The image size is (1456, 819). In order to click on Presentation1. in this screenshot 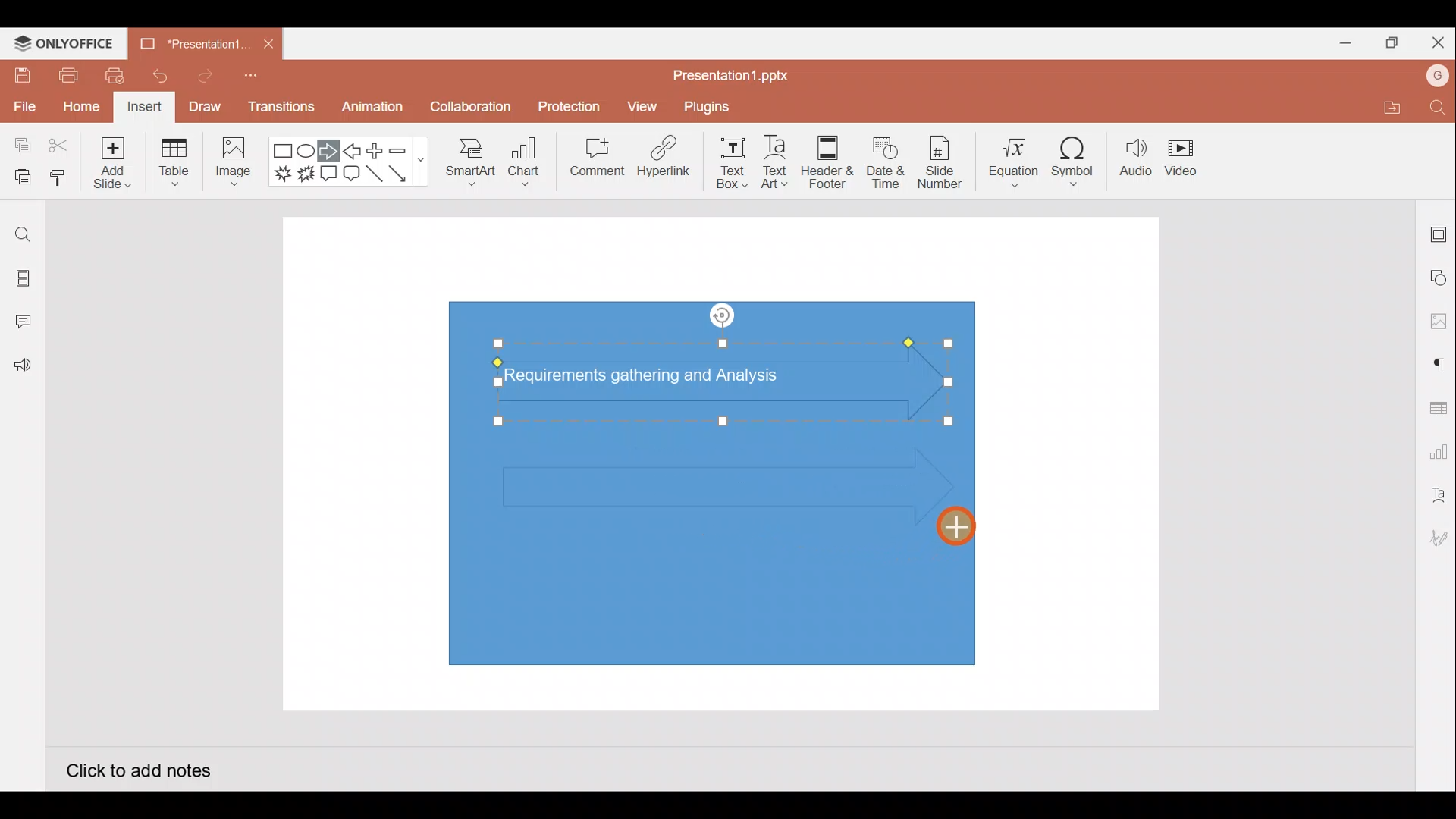, I will do `click(191, 44)`.